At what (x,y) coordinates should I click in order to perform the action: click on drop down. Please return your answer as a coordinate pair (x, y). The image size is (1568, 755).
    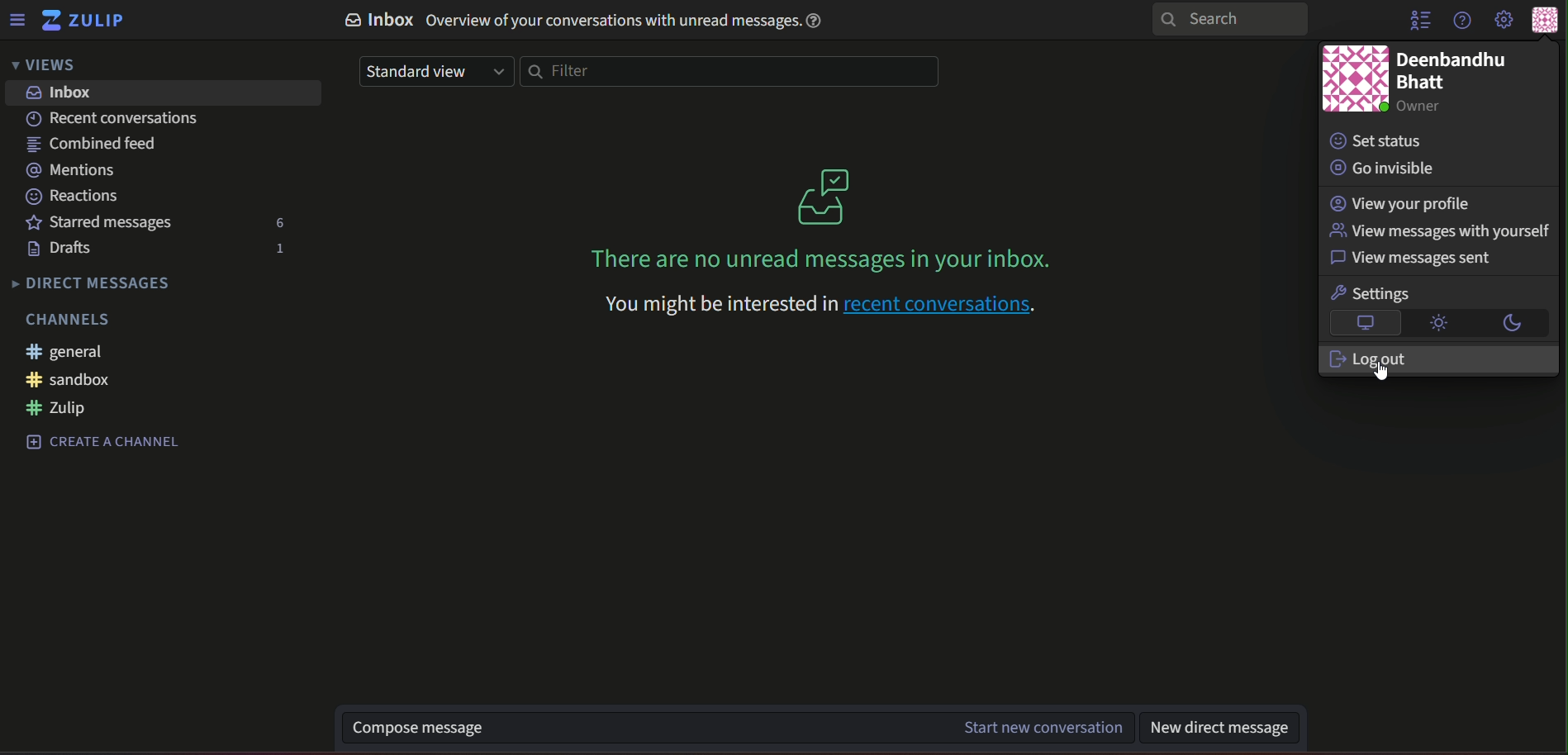
    Looking at the image, I should click on (437, 72).